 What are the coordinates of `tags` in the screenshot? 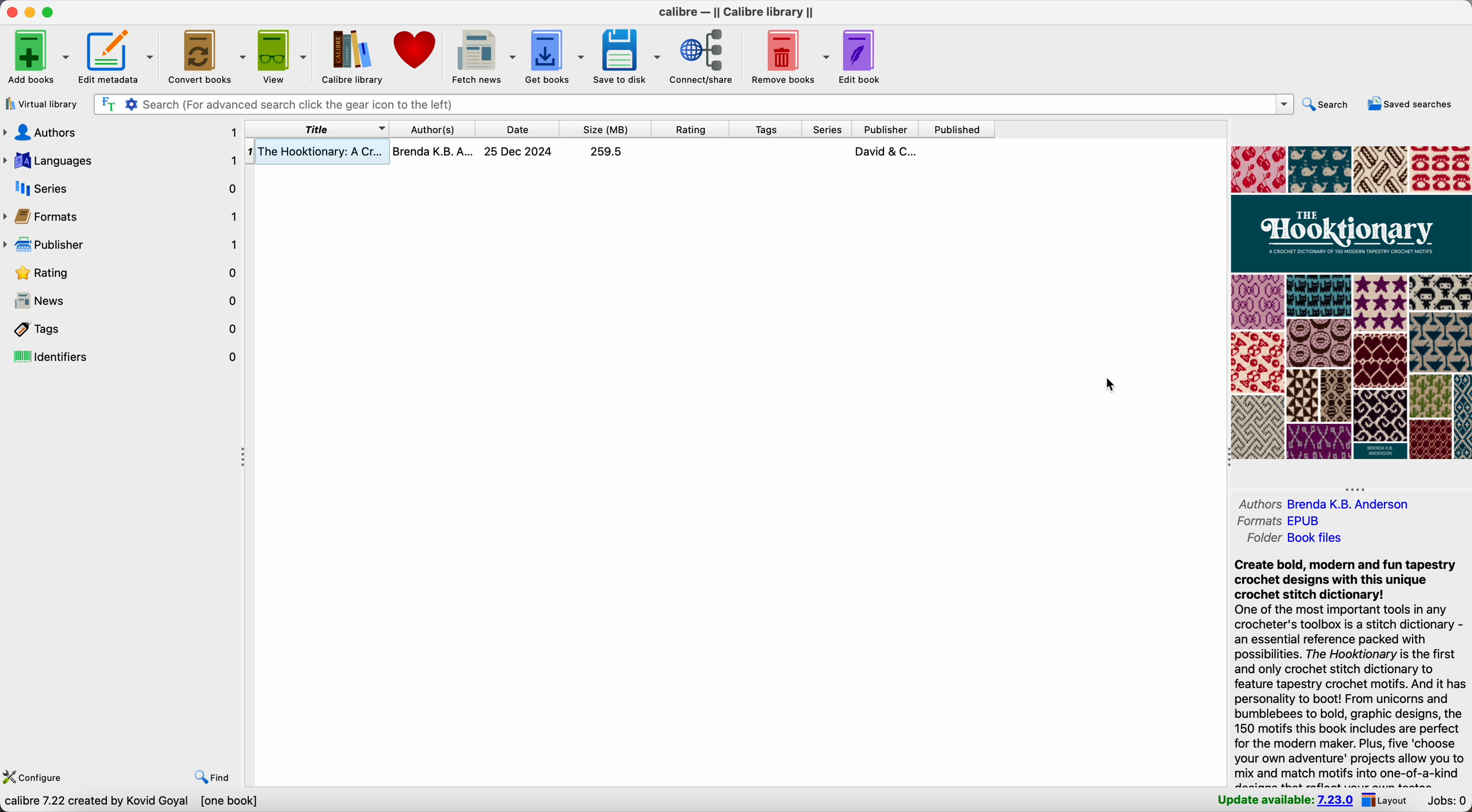 It's located at (765, 129).